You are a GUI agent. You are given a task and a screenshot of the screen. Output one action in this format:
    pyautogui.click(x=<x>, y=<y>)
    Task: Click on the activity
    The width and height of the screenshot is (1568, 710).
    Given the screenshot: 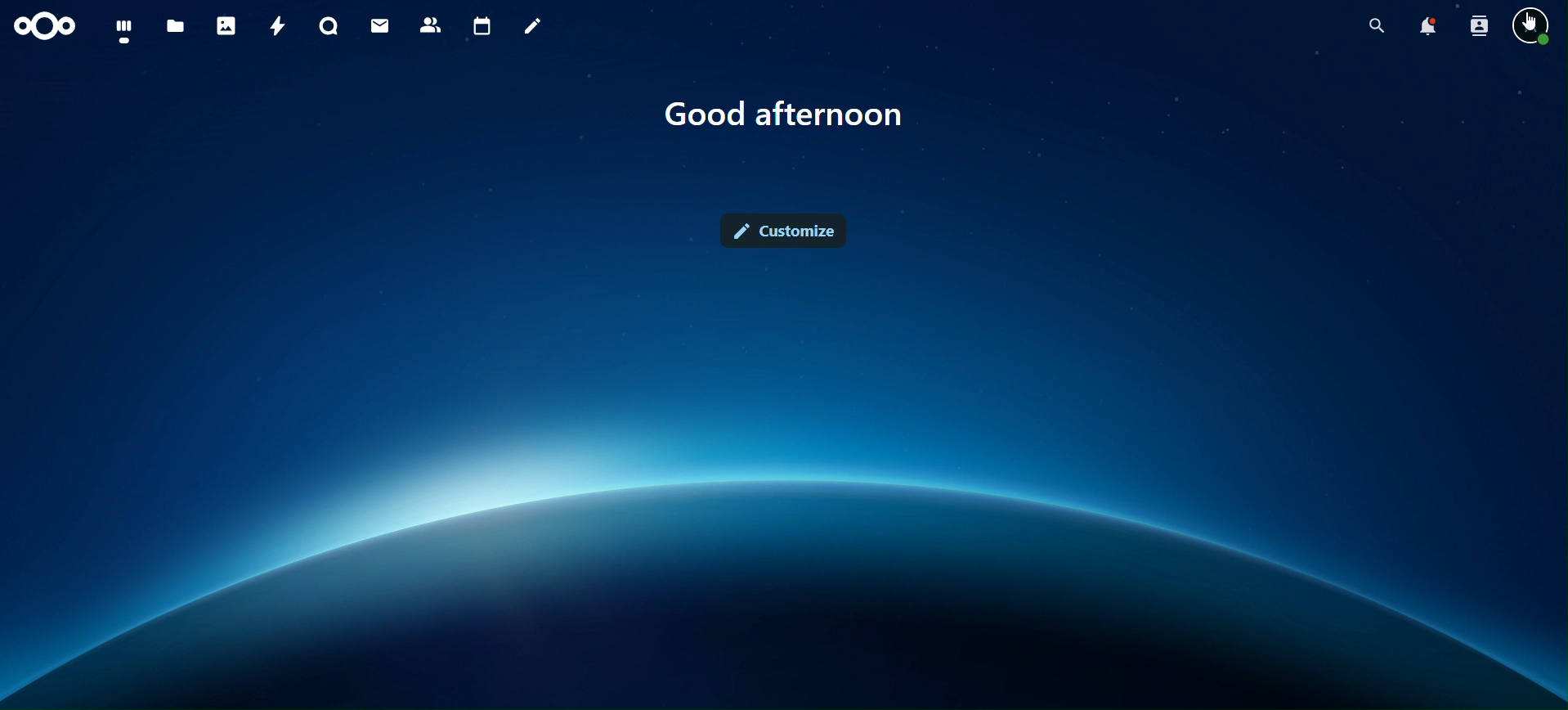 What is the action you would take?
    pyautogui.click(x=278, y=28)
    